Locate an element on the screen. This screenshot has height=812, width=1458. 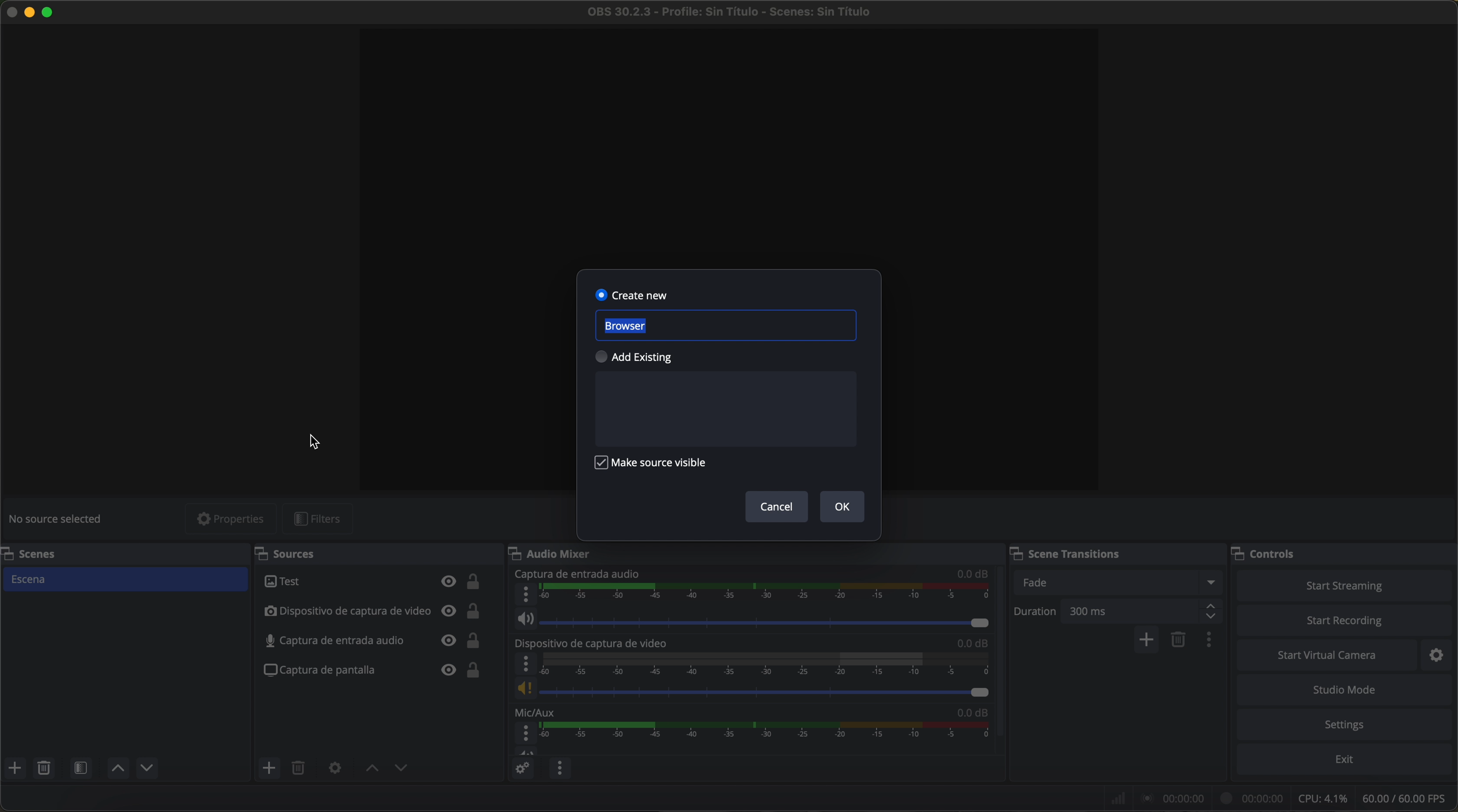
make source visible is located at coordinates (655, 466).